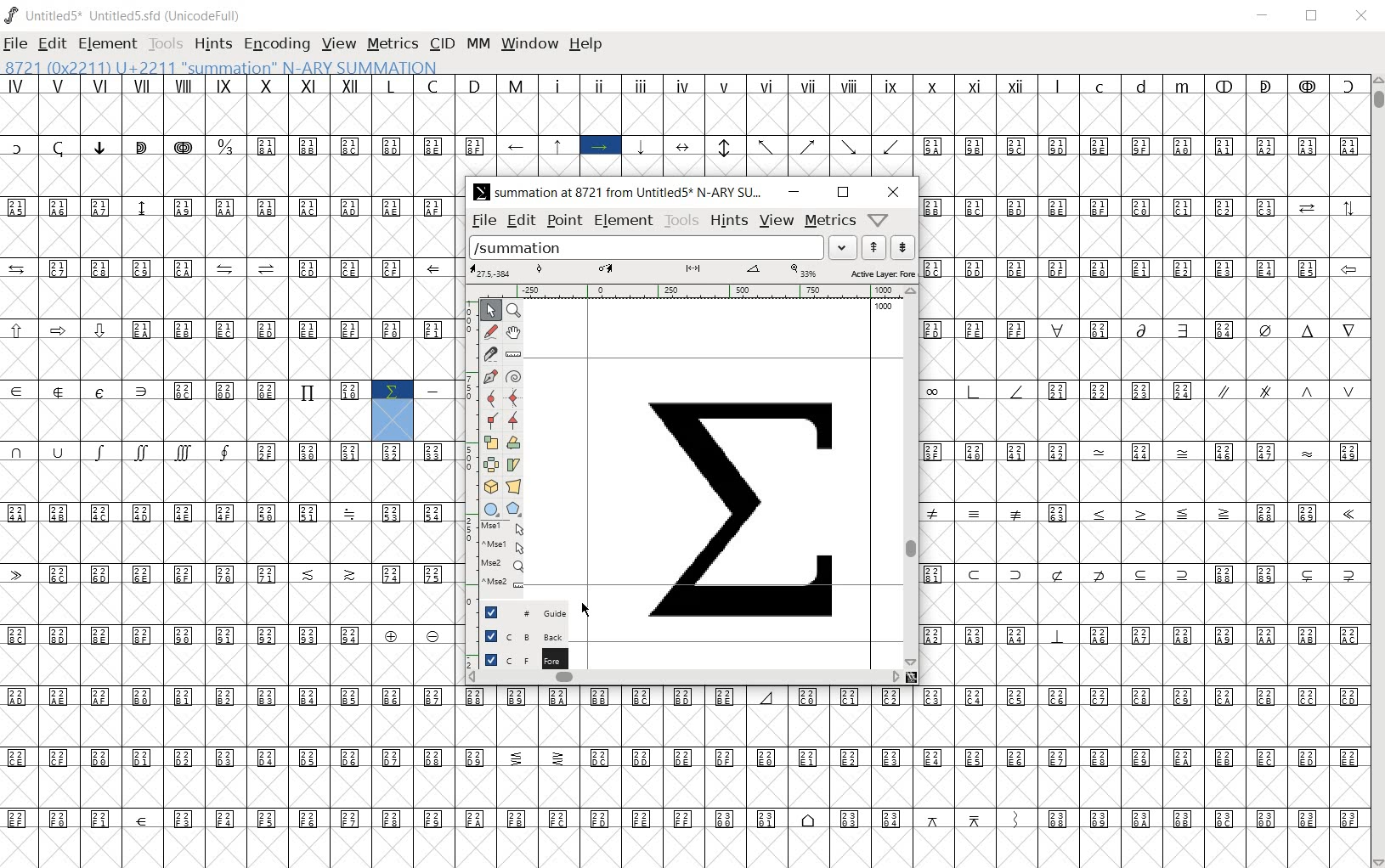  I want to click on load word list, so click(664, 247).